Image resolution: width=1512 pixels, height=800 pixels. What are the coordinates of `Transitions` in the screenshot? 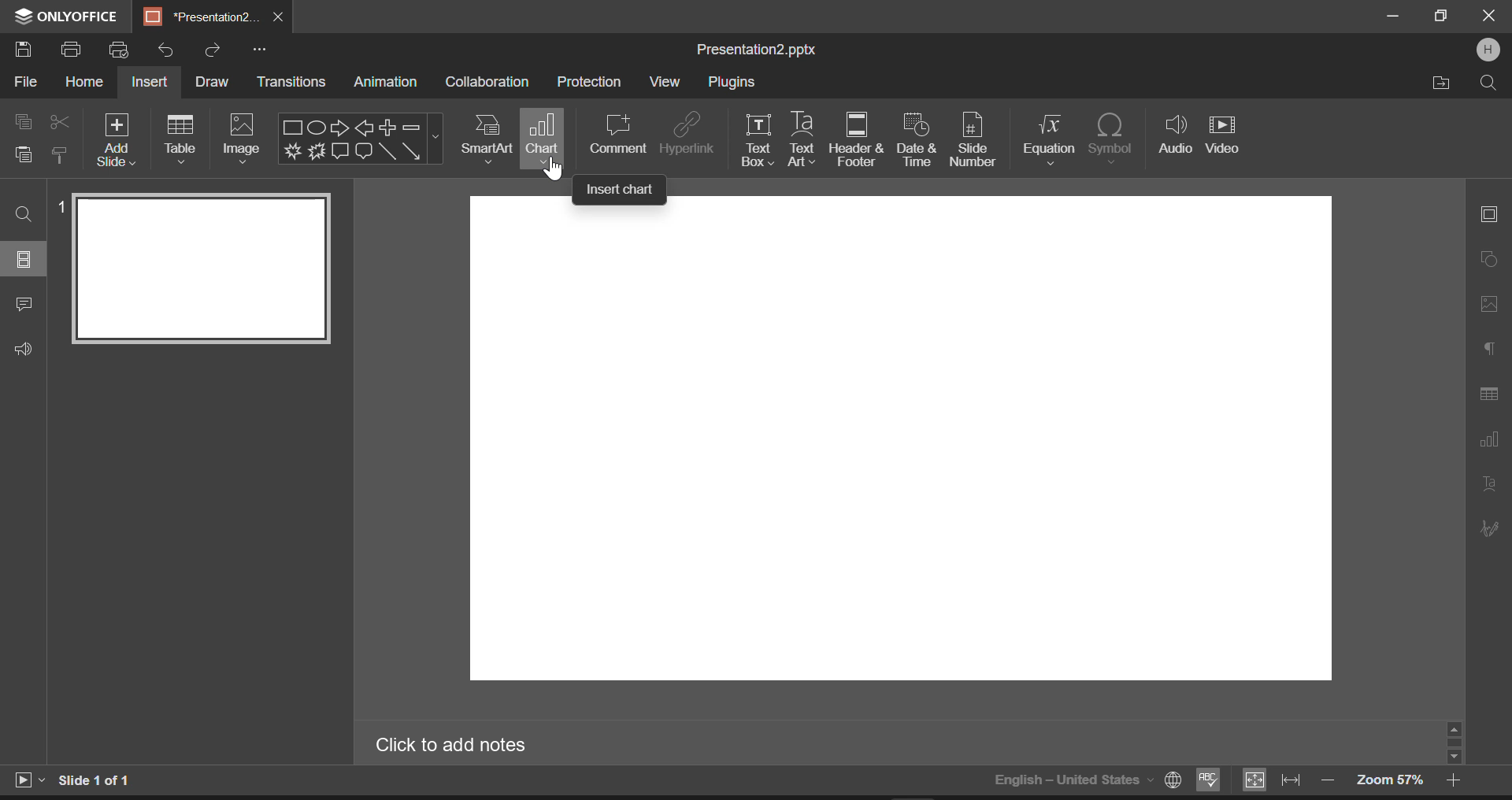 It's located at (293, 82).